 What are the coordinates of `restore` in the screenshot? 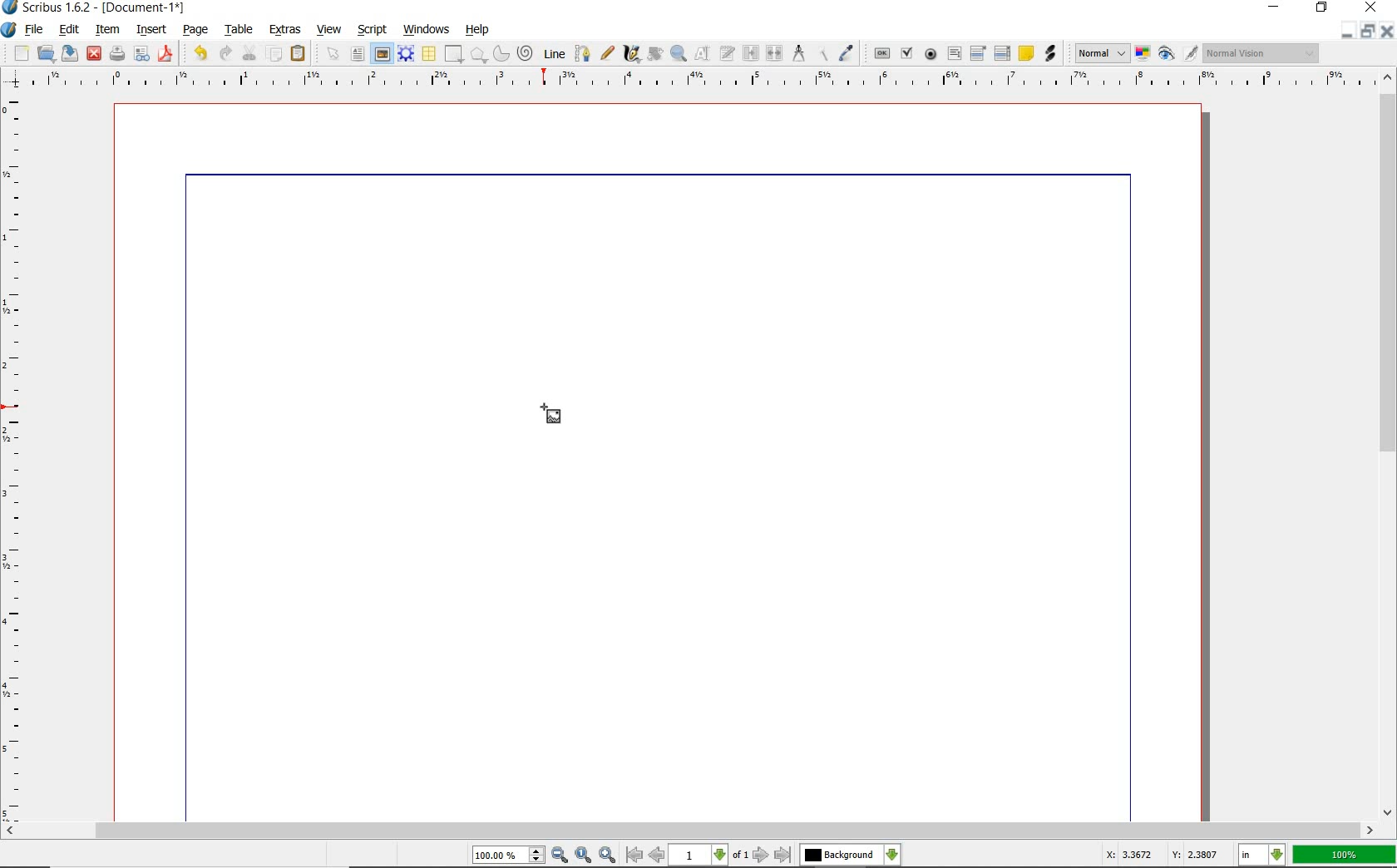 It's located at (1324, 8).